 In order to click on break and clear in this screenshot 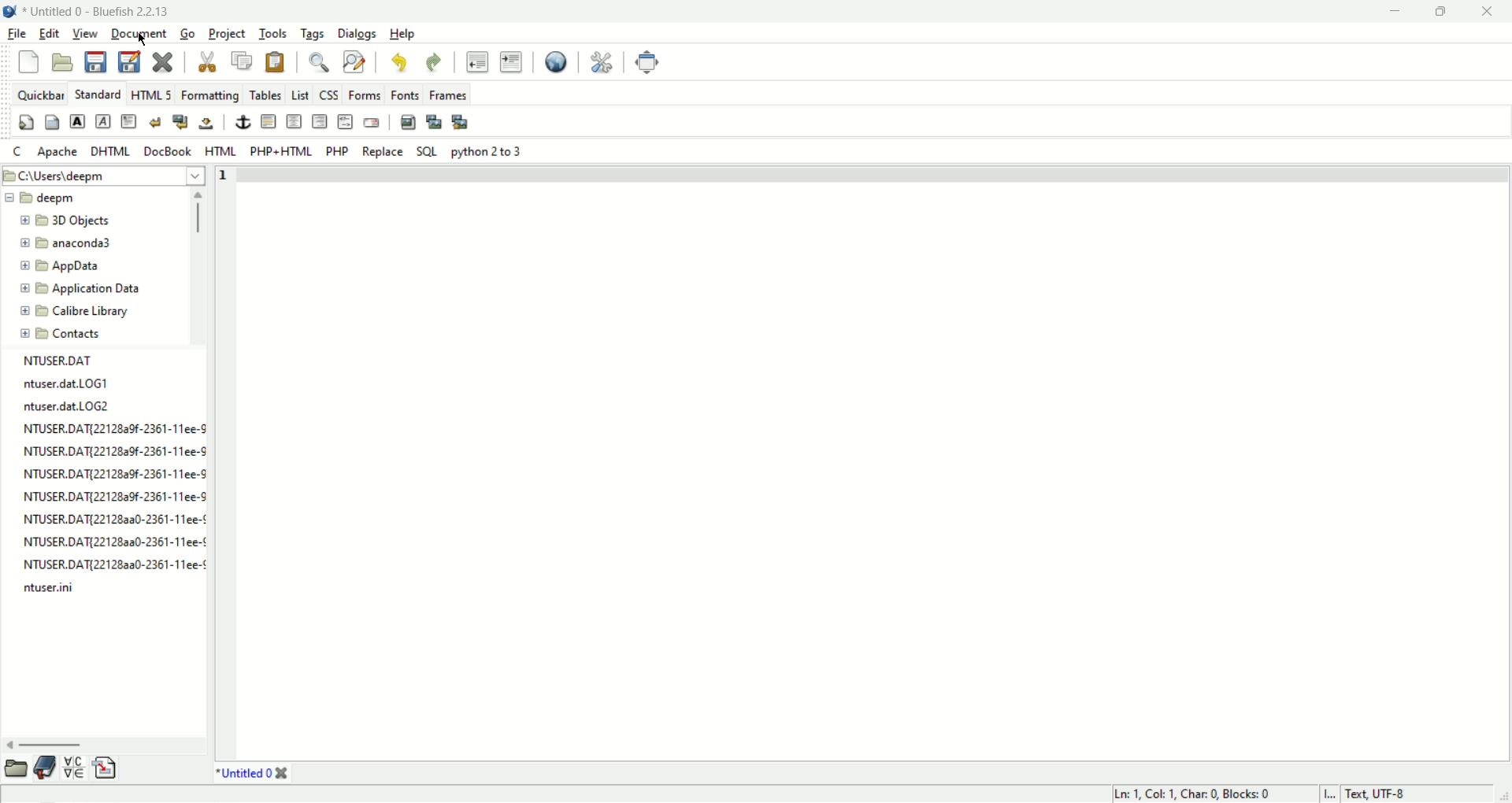, I will do `click(181, 123)`.